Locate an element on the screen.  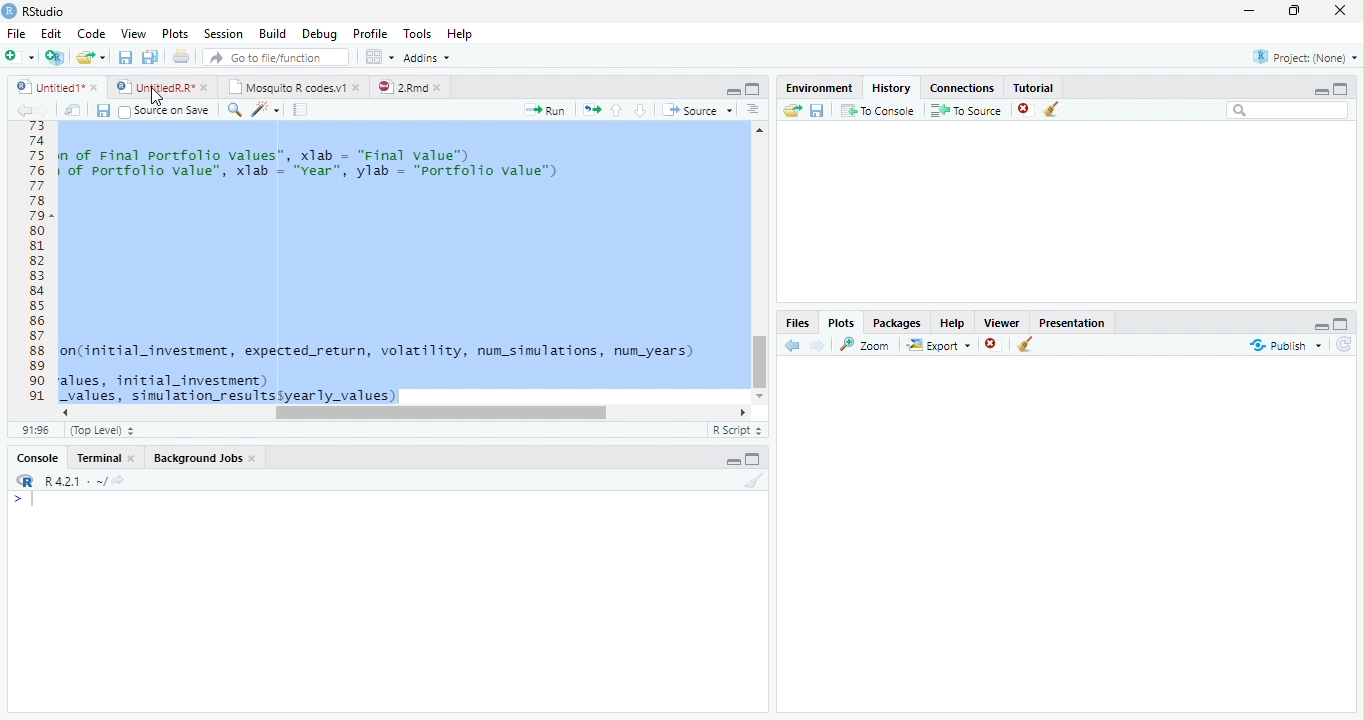
Console is located at coordinates (387, 601).